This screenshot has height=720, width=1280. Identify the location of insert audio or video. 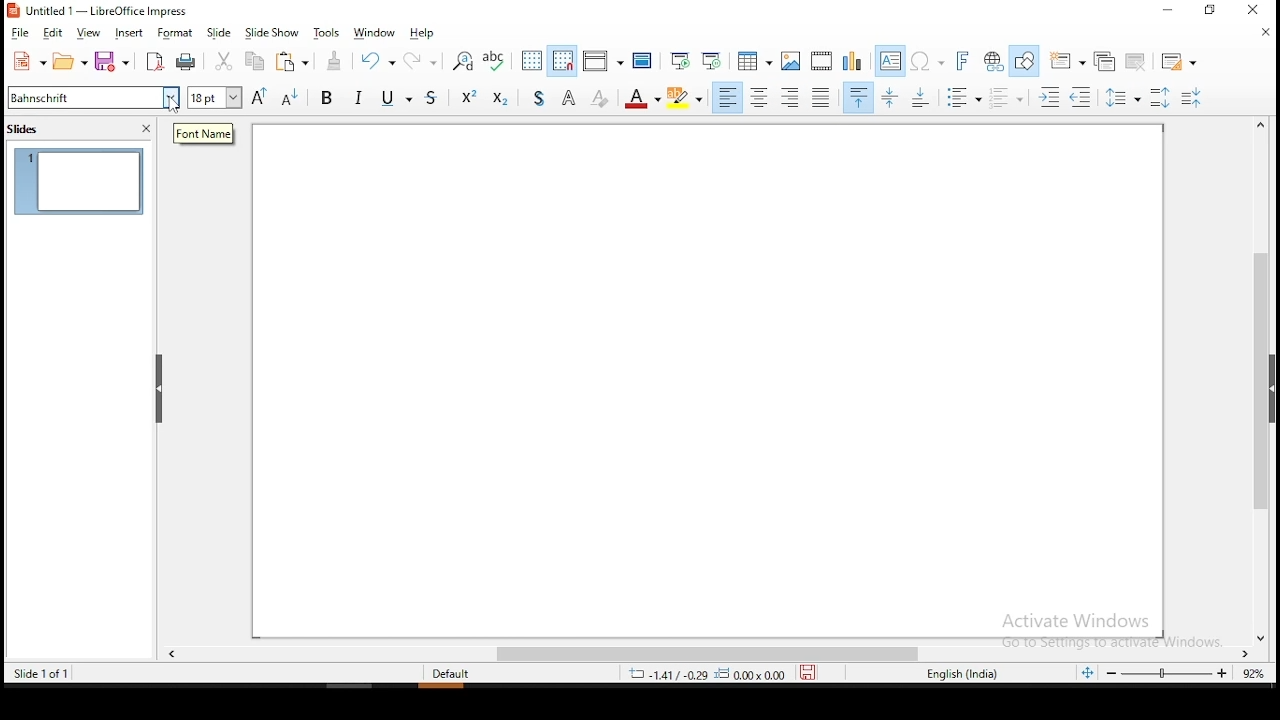
(821, 61).